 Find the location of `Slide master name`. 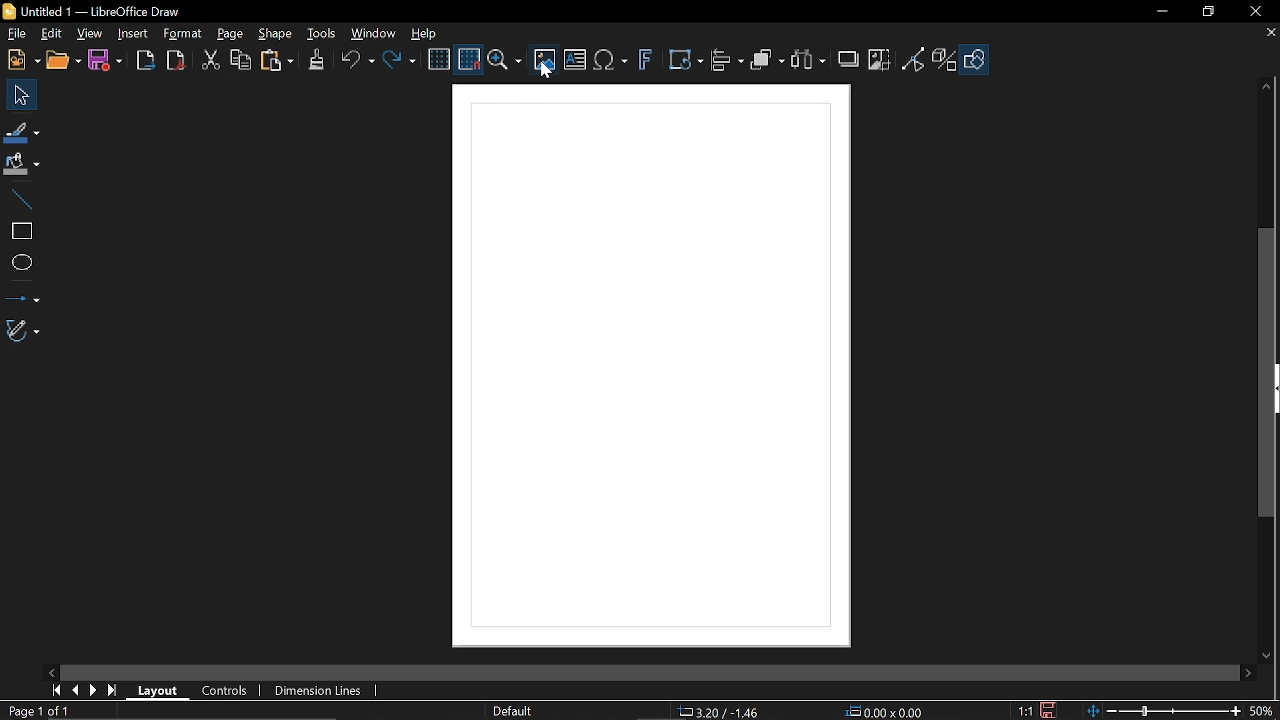

Slide master name is located at coordinates (511, 712).